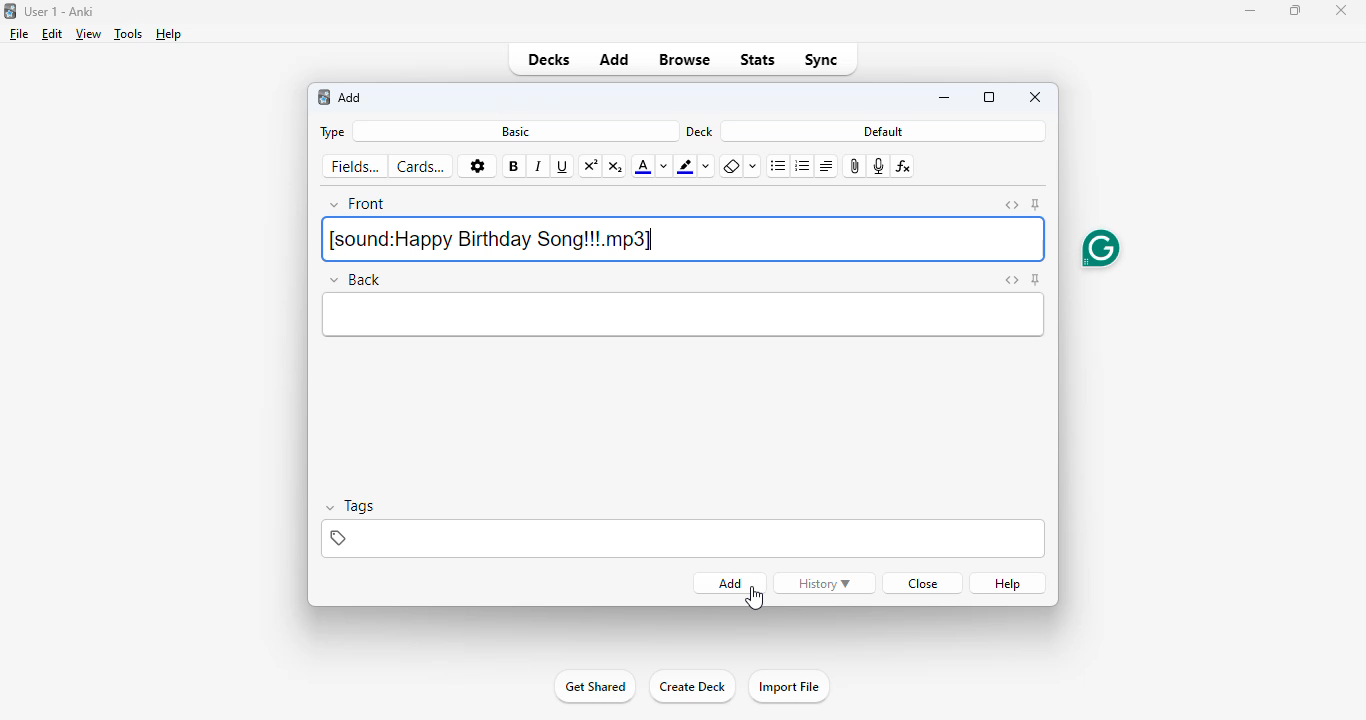  I want to click on attach pictures/audio/video, so click(853, 167).